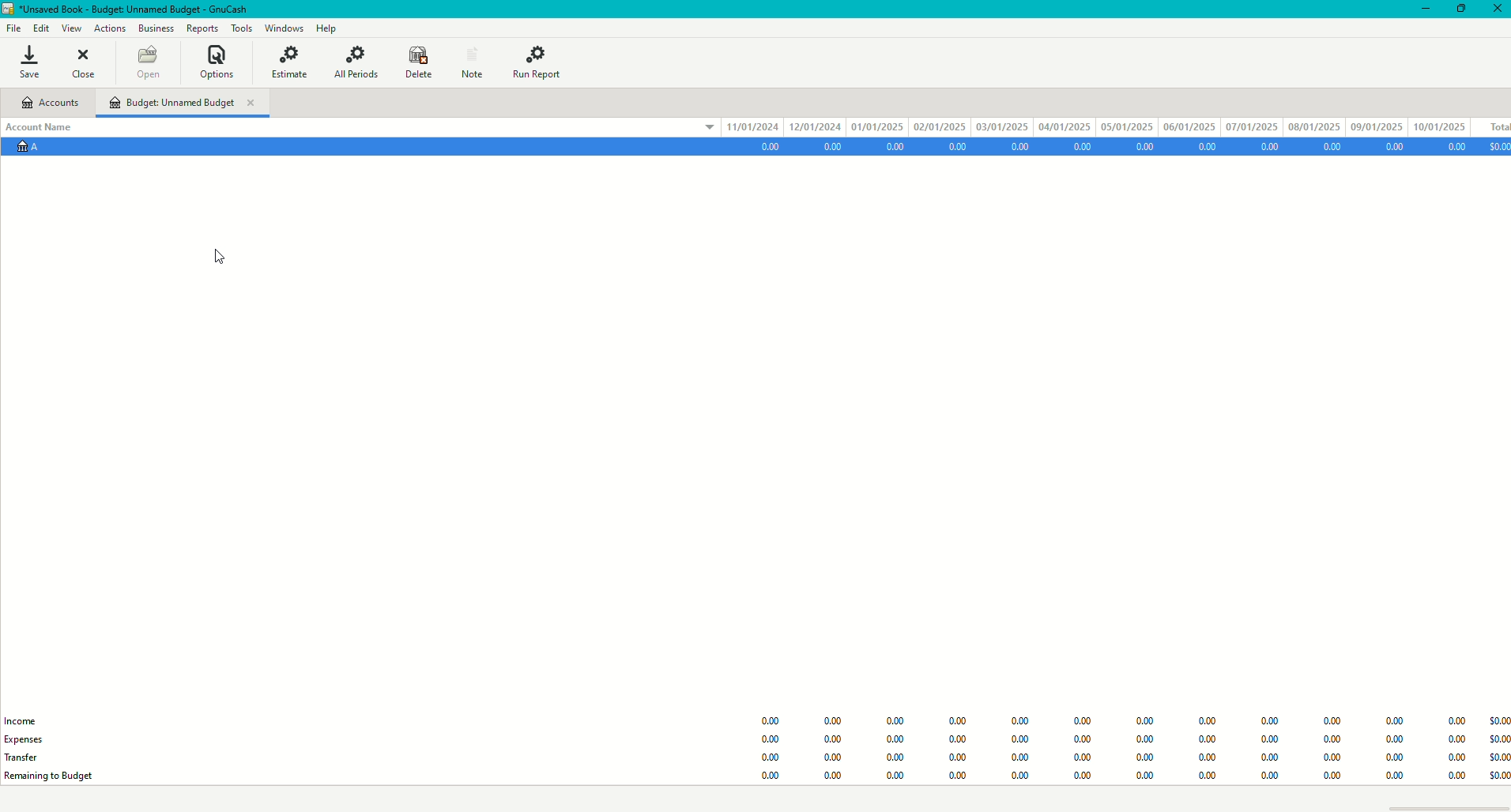 The height and width of the screenshot is (812, 1511). Describe the element at coordinates (473, 60) in the screenshot. I see `Note` at that location.